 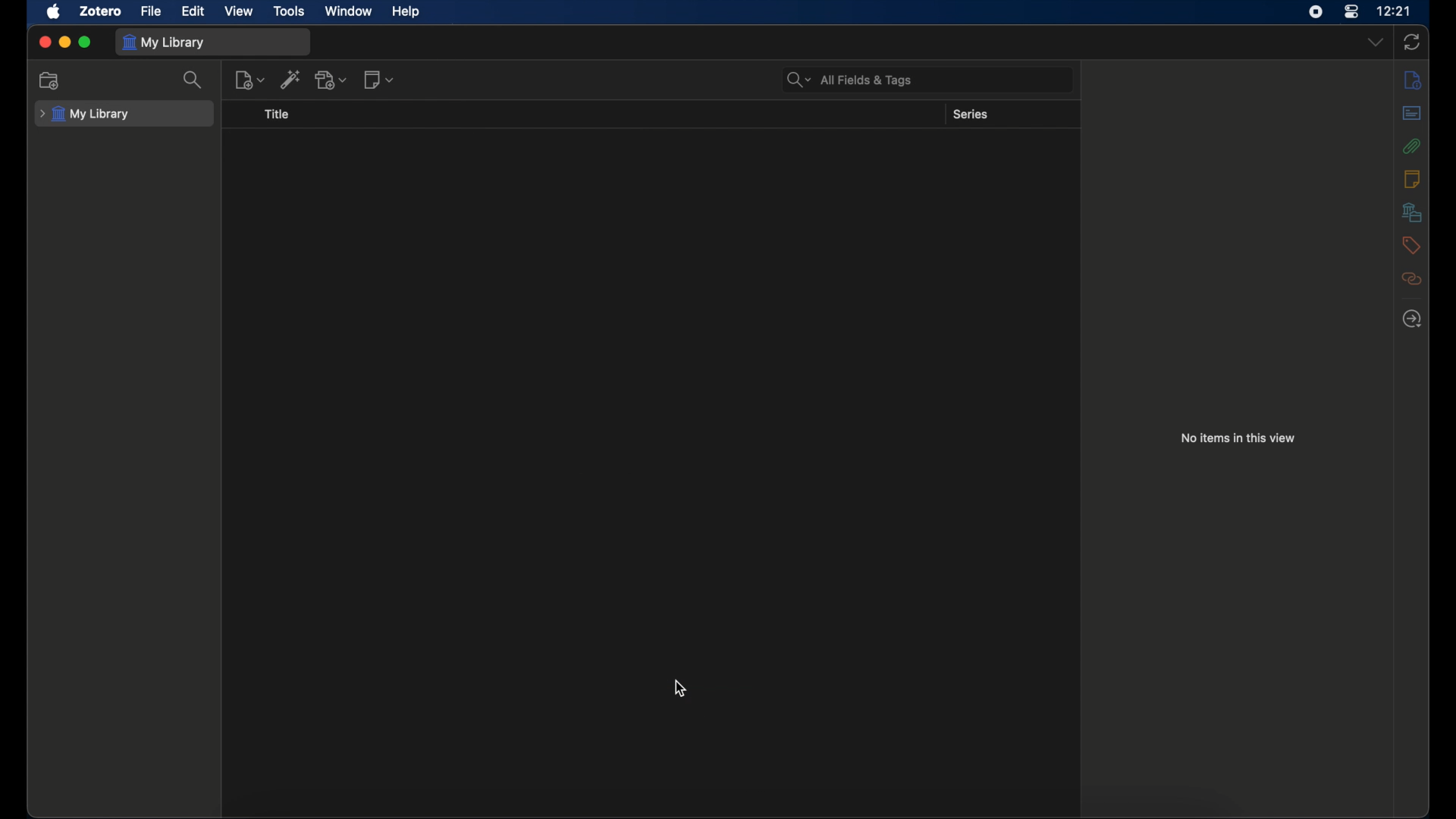 I want to click on dropdown, so click(x=1377, y=42).